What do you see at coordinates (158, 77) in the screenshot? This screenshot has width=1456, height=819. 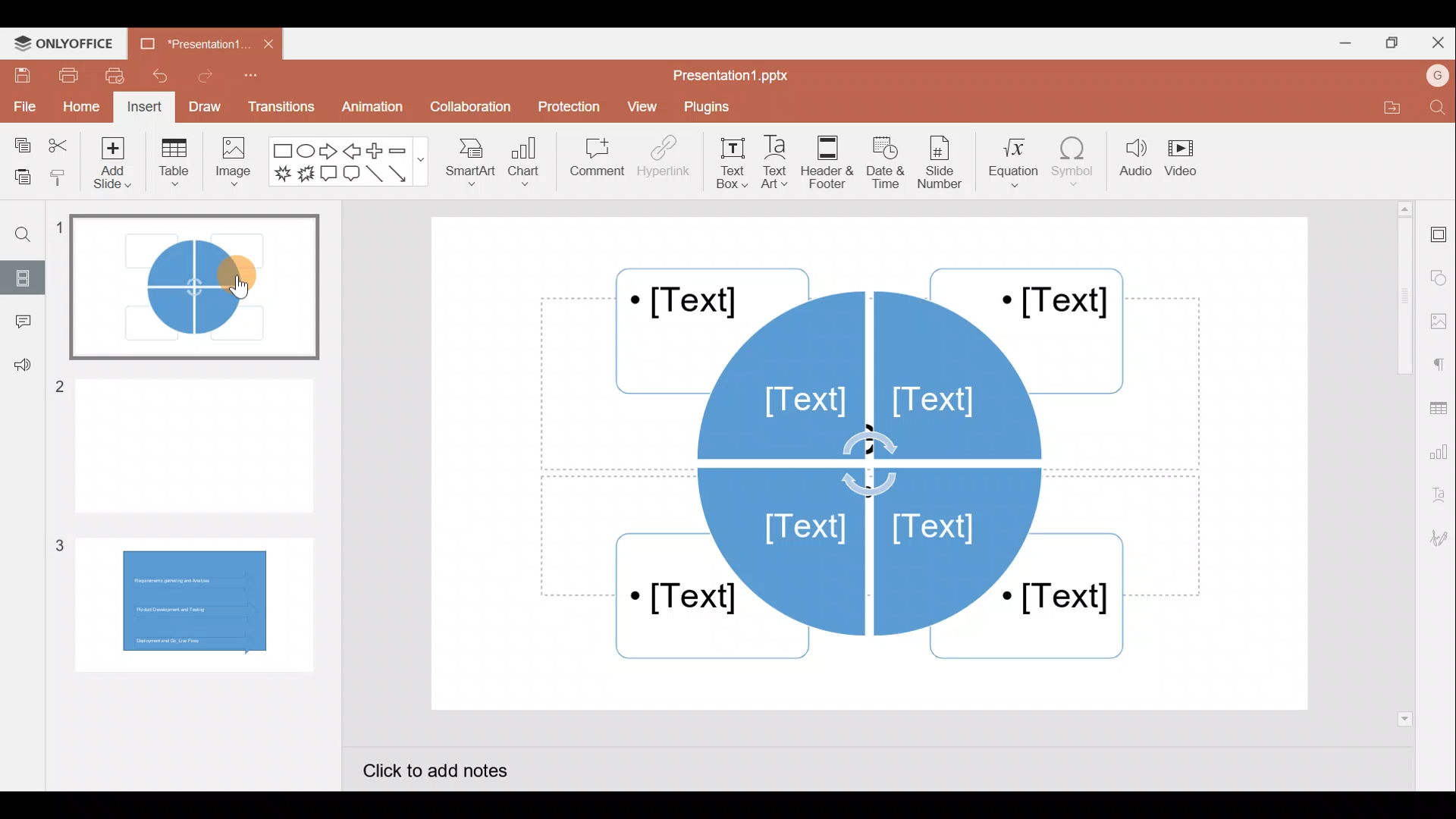 I see `Undo` at bounding box center [158, 77].